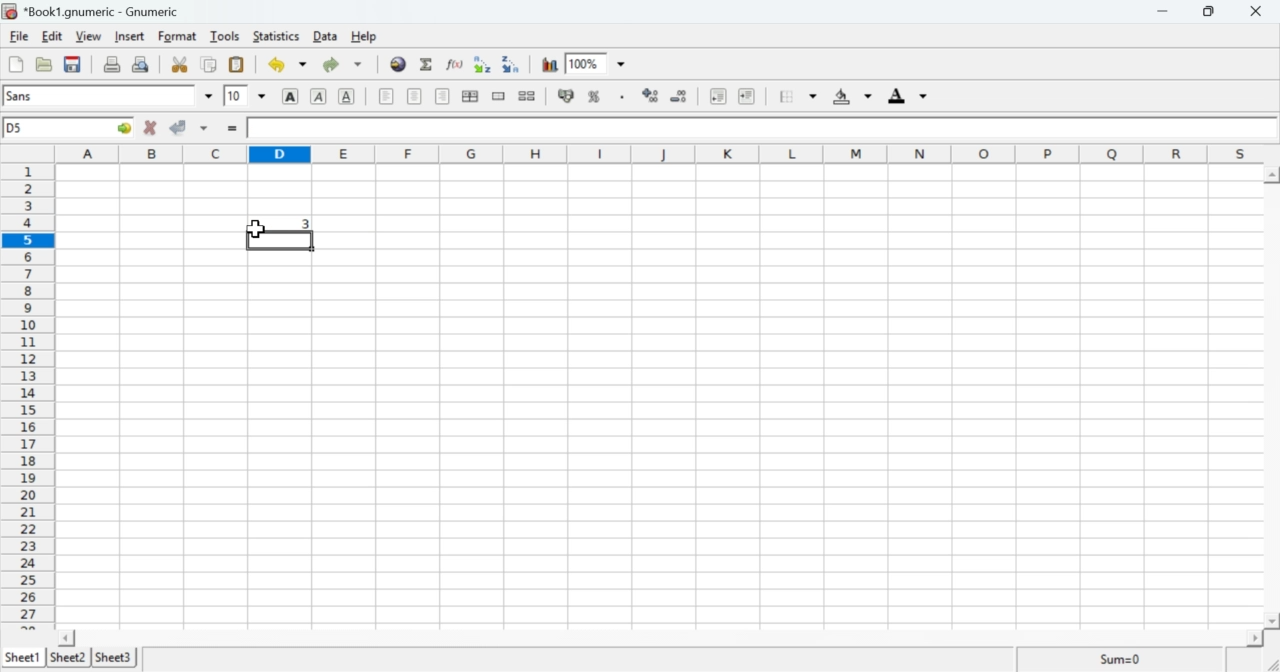 Image resolution: width=1280 pixels, height=672 pixels. What do you see at coordinates (346, 64) in the screenshot?
I see `Redo` at bounding box center [346, 64].